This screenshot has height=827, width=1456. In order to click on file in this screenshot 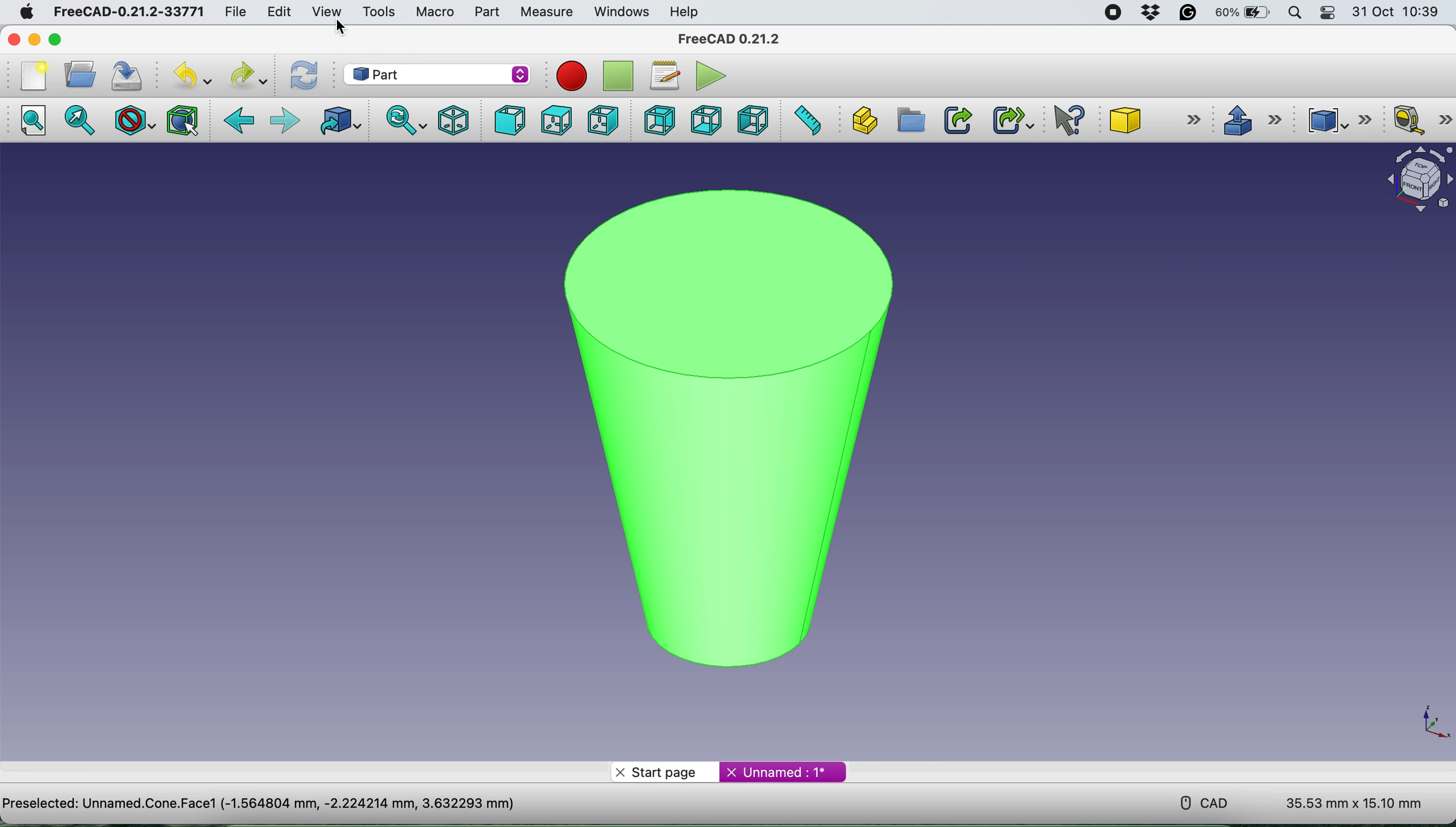, I will do `click(231, 11)`.